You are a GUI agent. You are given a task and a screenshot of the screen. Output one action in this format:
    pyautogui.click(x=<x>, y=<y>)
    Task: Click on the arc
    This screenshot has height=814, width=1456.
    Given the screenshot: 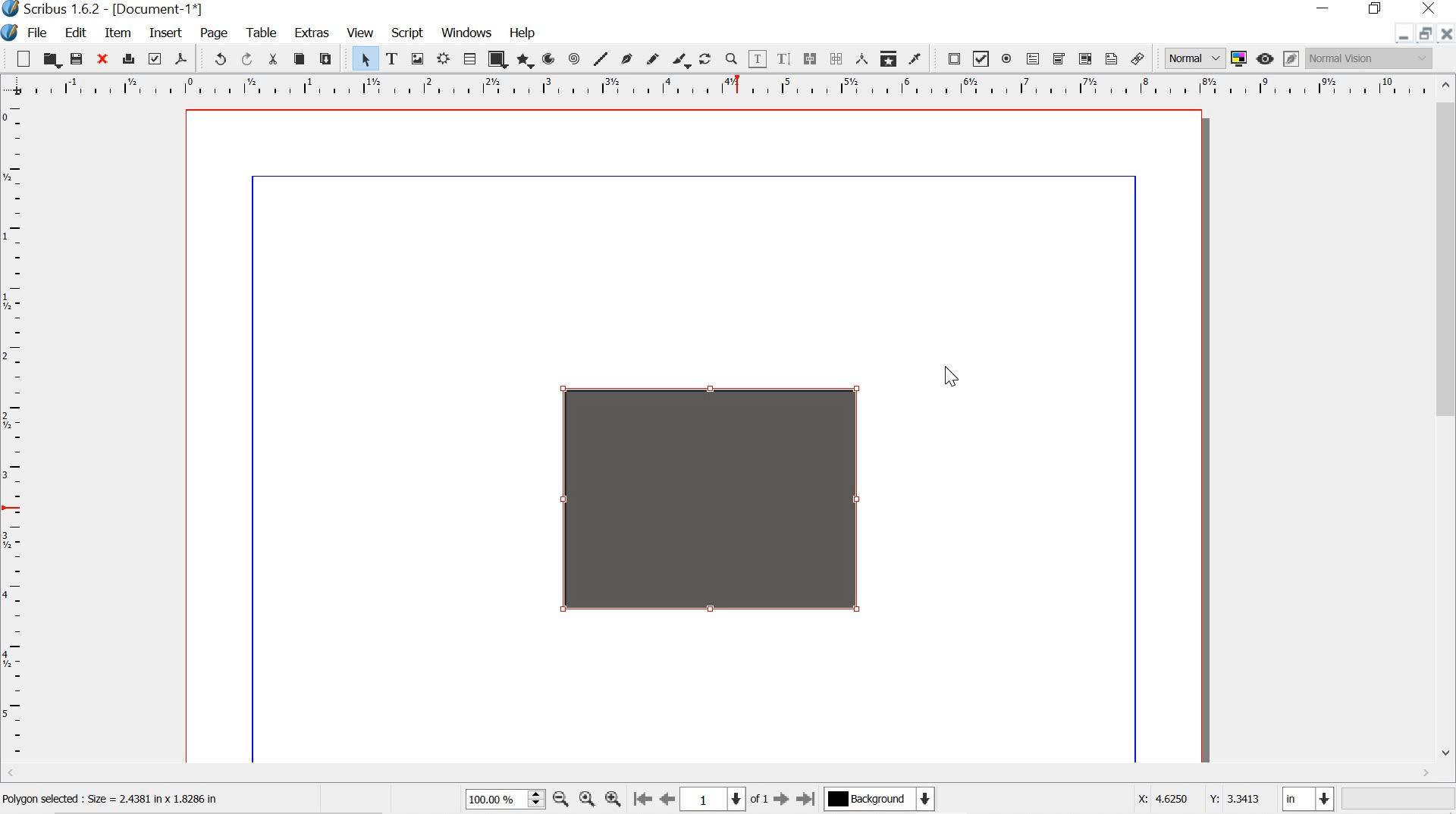 What is the action you would take?
    pyautogui.click(x=550, y=59)
    